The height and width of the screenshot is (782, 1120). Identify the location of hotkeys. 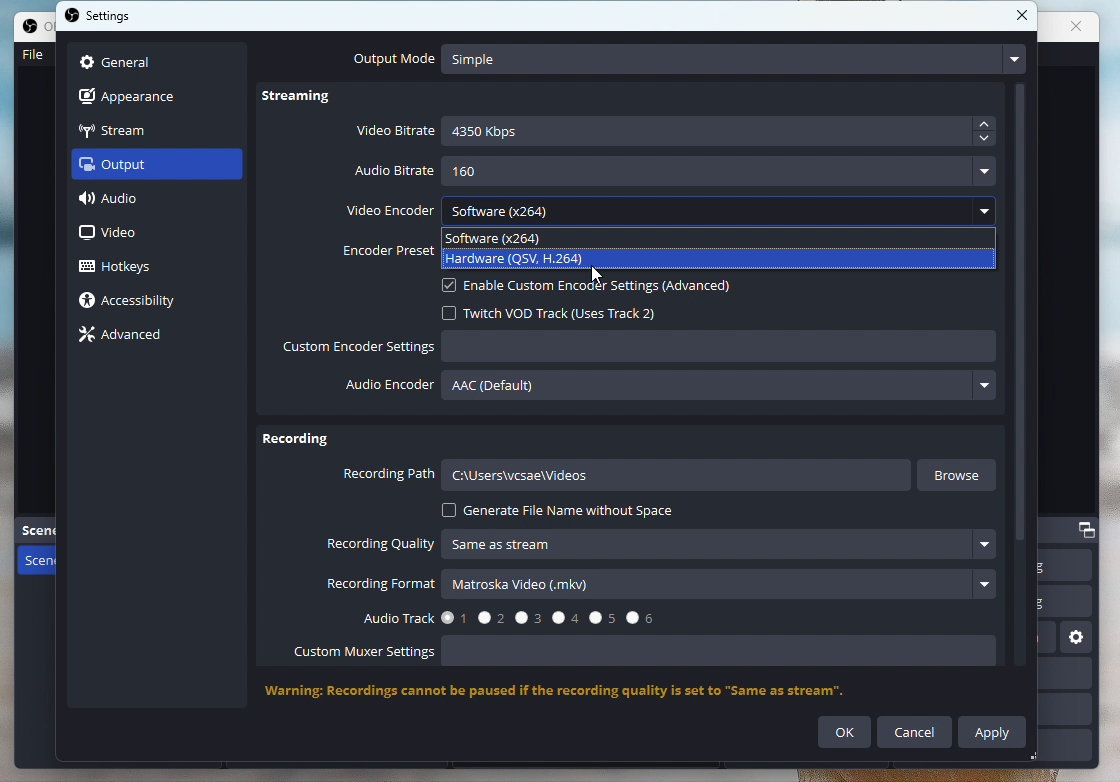
(131, 264).